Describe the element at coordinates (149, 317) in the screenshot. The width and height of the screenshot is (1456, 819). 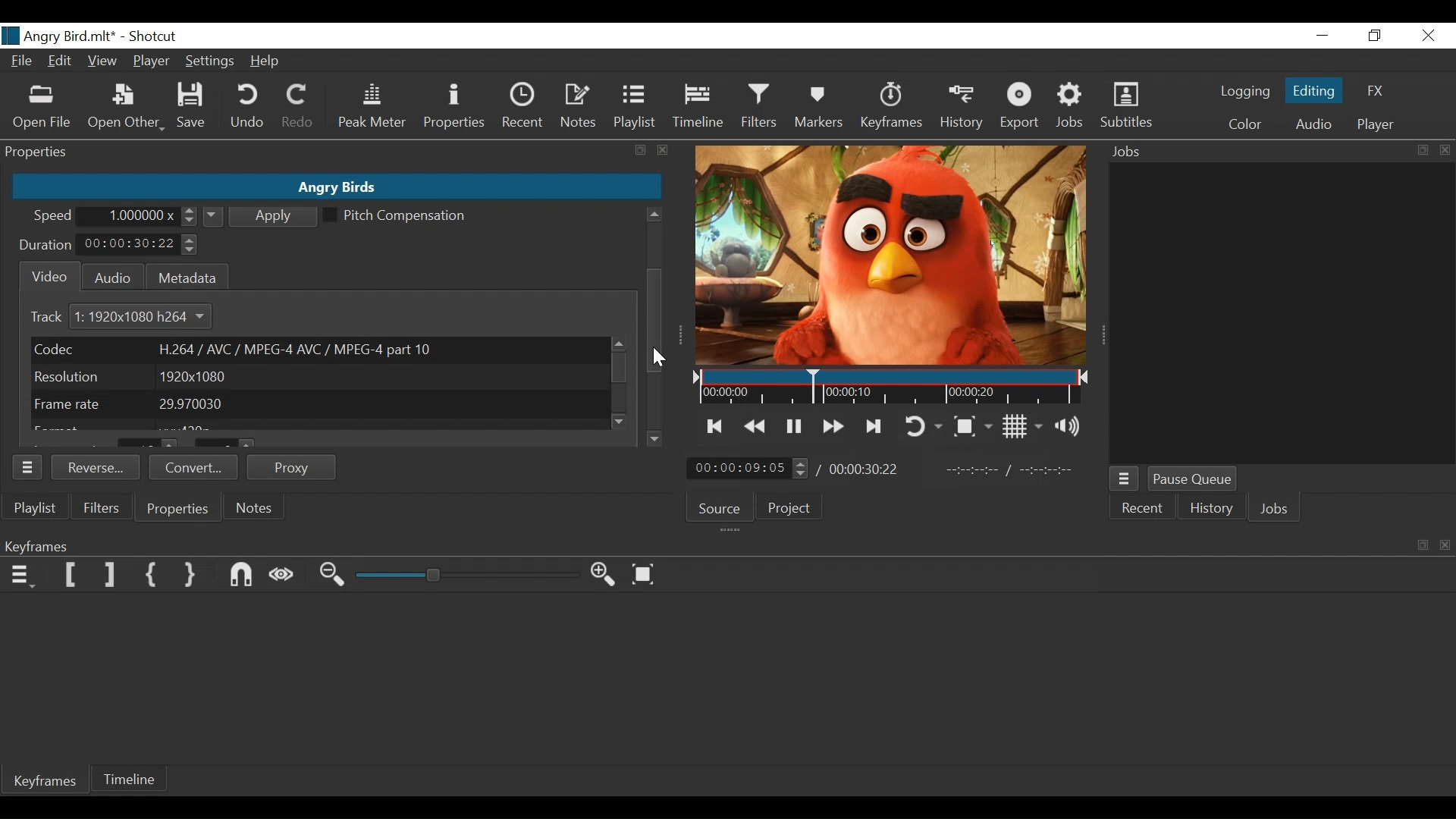
I see `Track Size` at that location.